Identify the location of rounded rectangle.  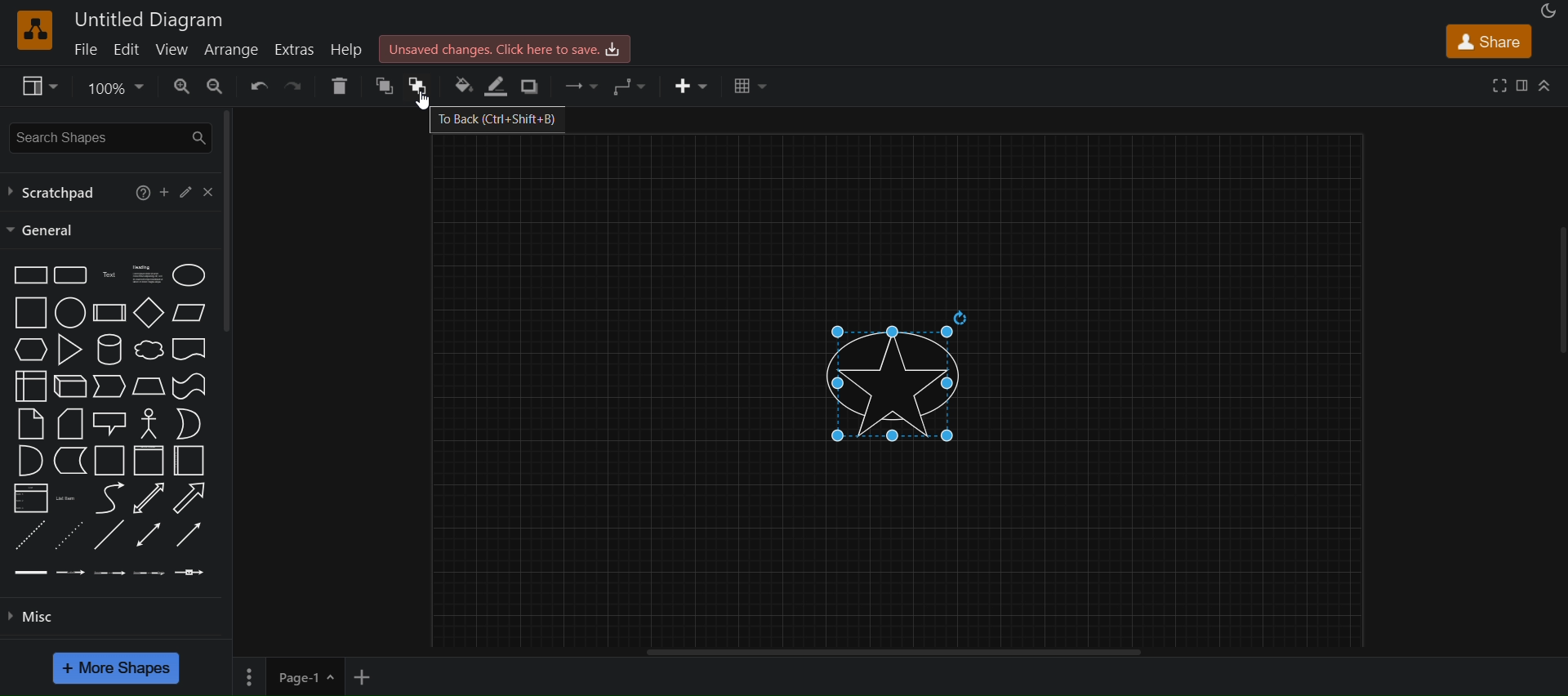
(69, 274).